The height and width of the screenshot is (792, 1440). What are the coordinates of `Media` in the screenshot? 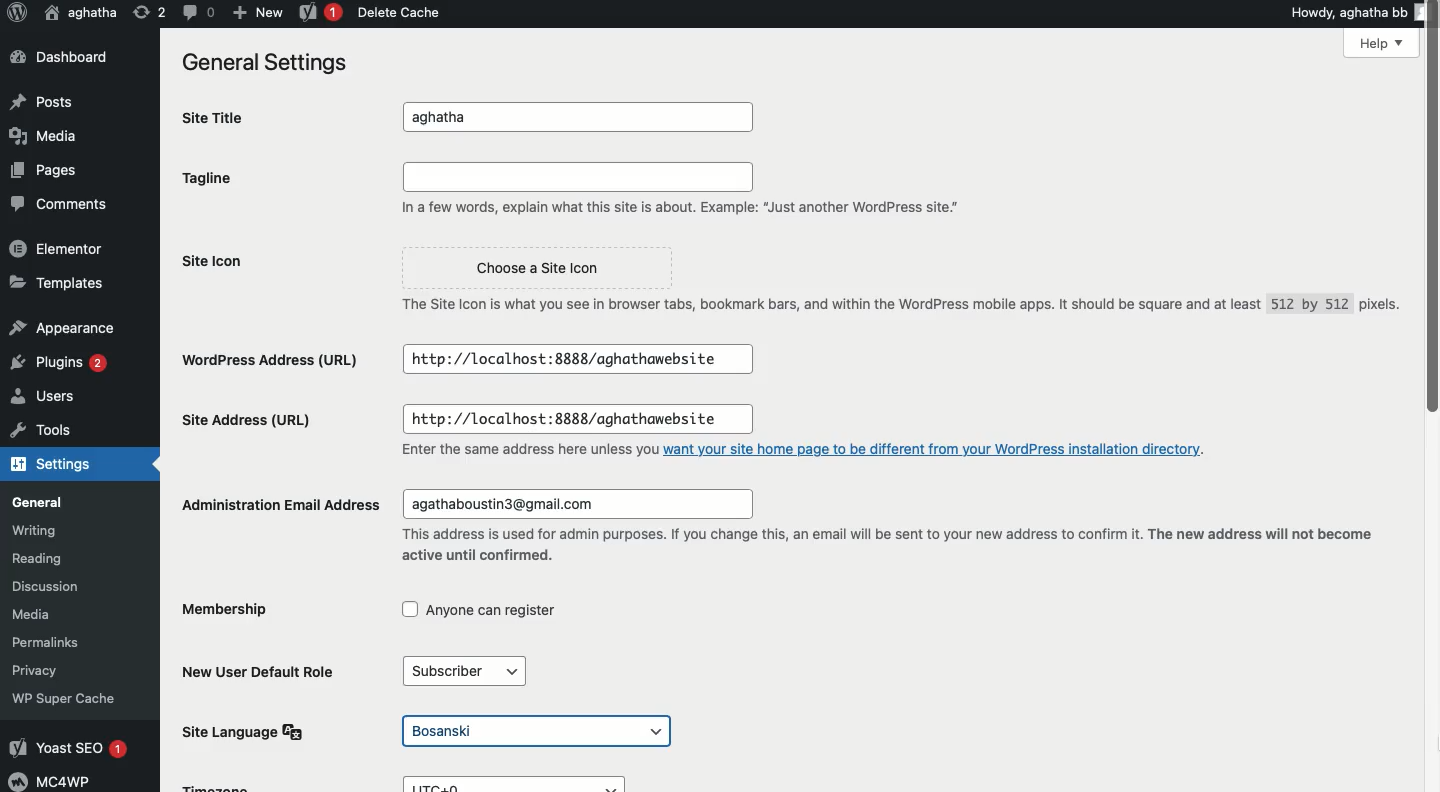 It's located at (49, 614).